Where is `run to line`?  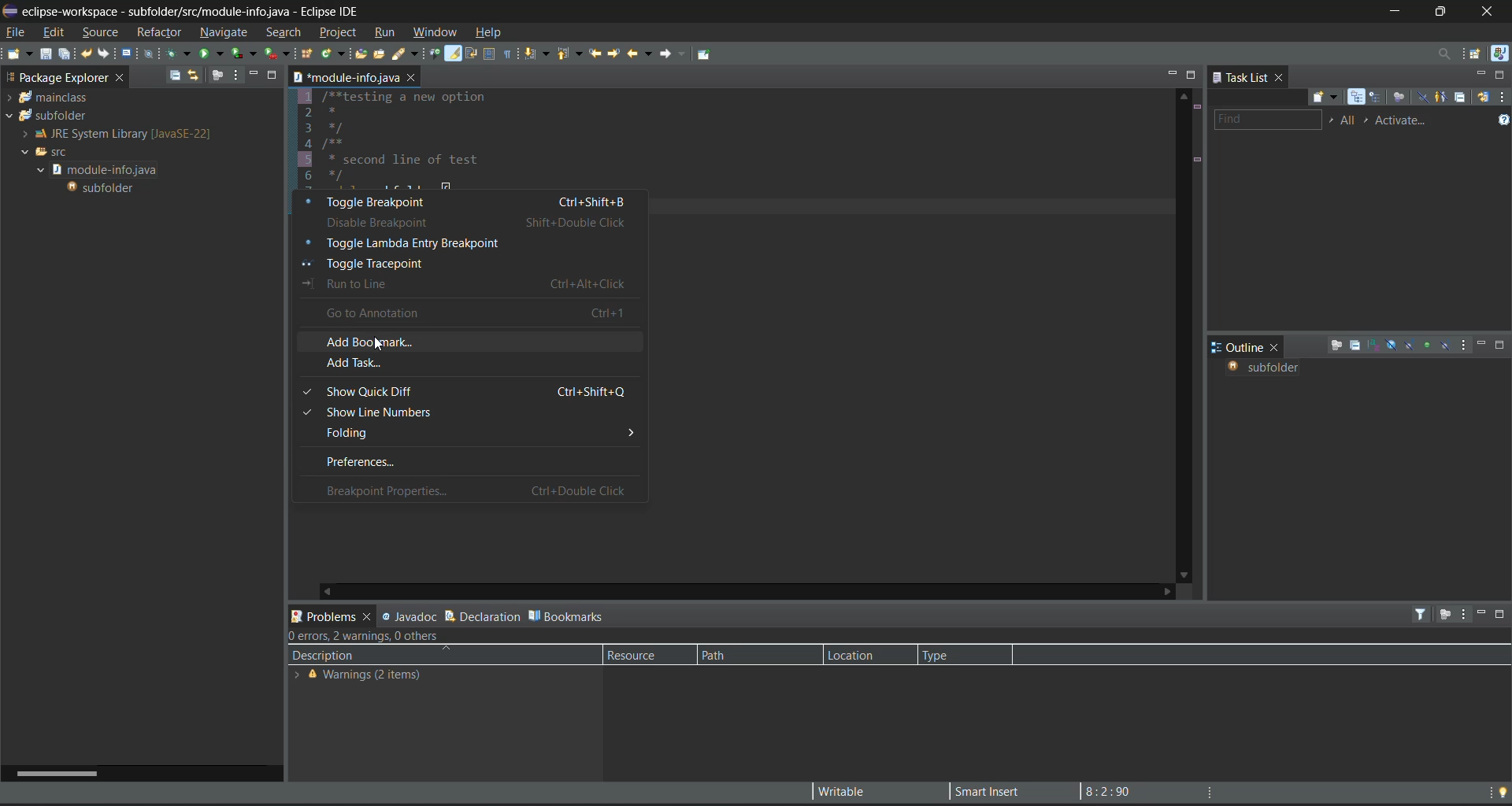 run to line is located at coordinates (473, 284).